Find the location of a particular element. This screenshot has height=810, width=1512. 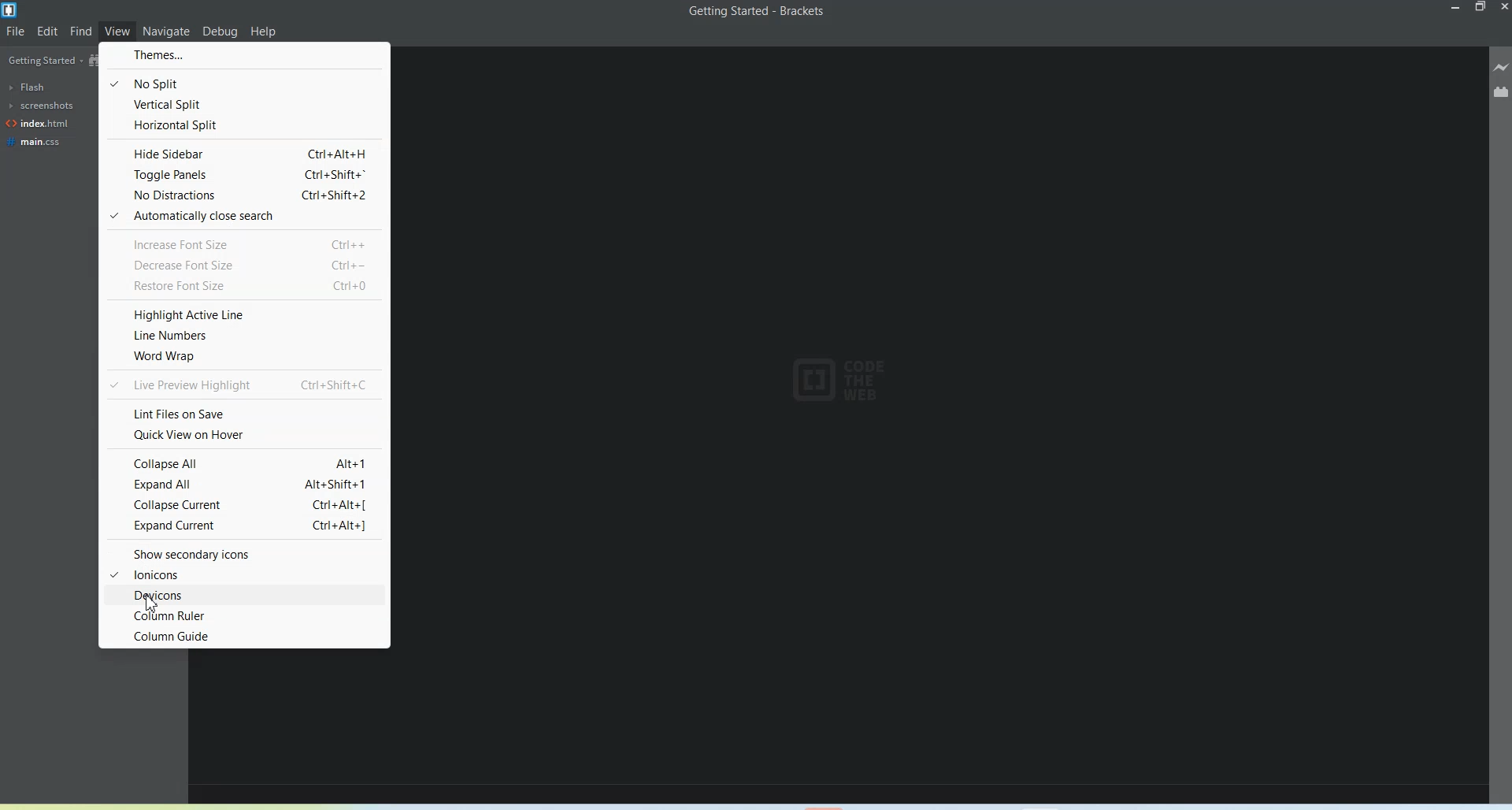

Flash is located at coordinates (28, 87).